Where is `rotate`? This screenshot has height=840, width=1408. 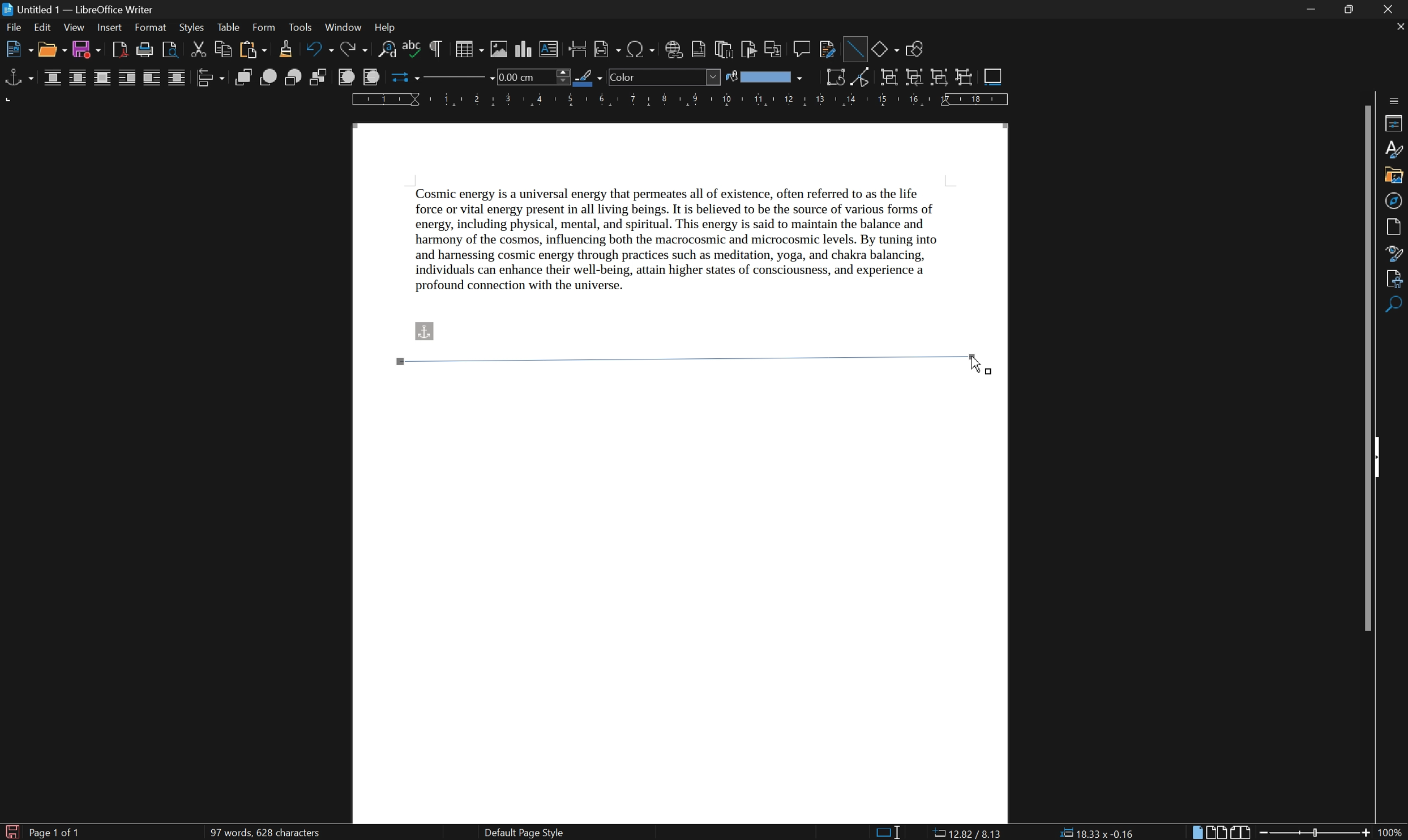 rotate is located at coordinates (836, 77).